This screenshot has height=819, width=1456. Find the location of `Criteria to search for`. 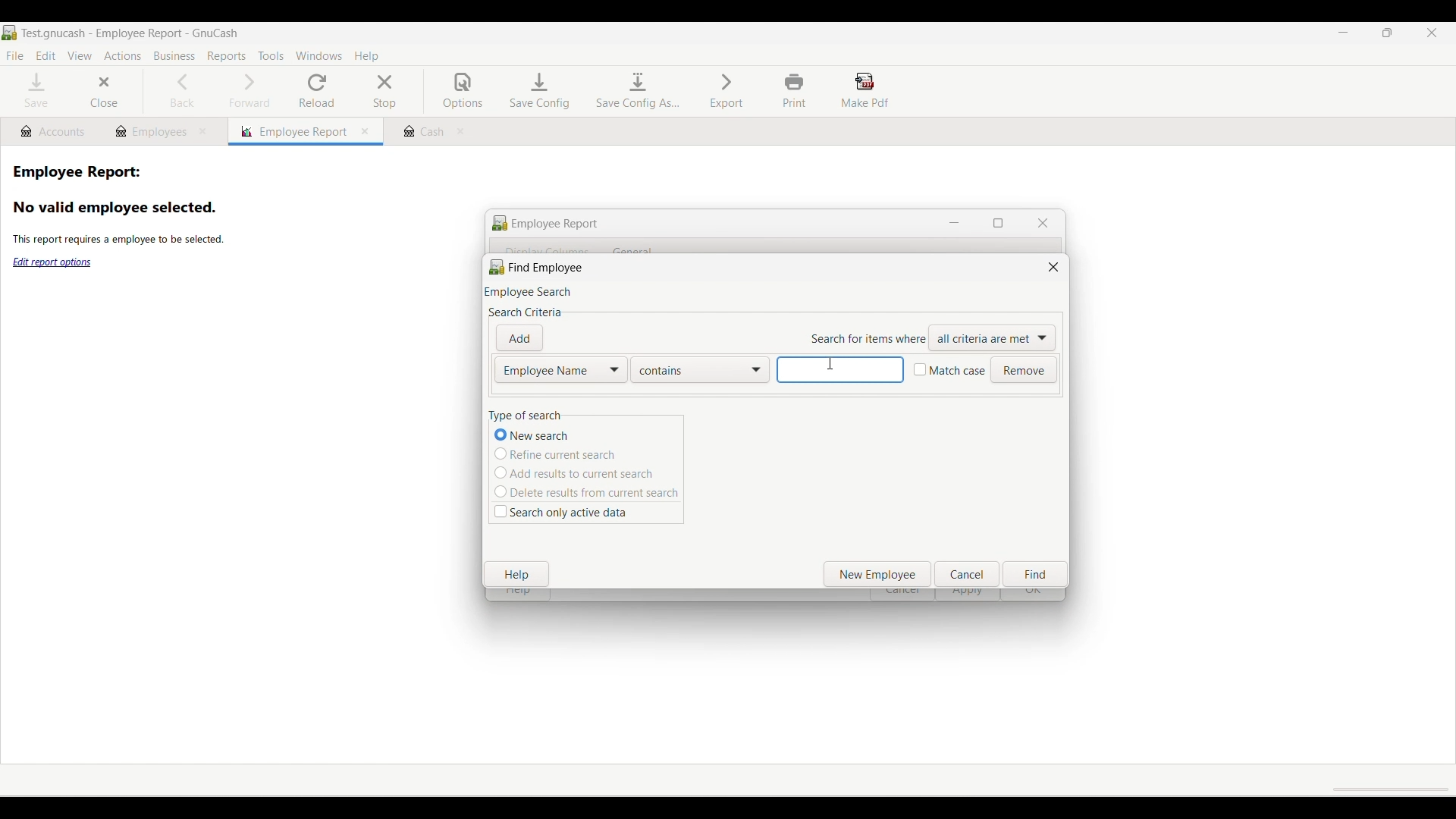

Criteria to search for is located at coordinates (993, 338).